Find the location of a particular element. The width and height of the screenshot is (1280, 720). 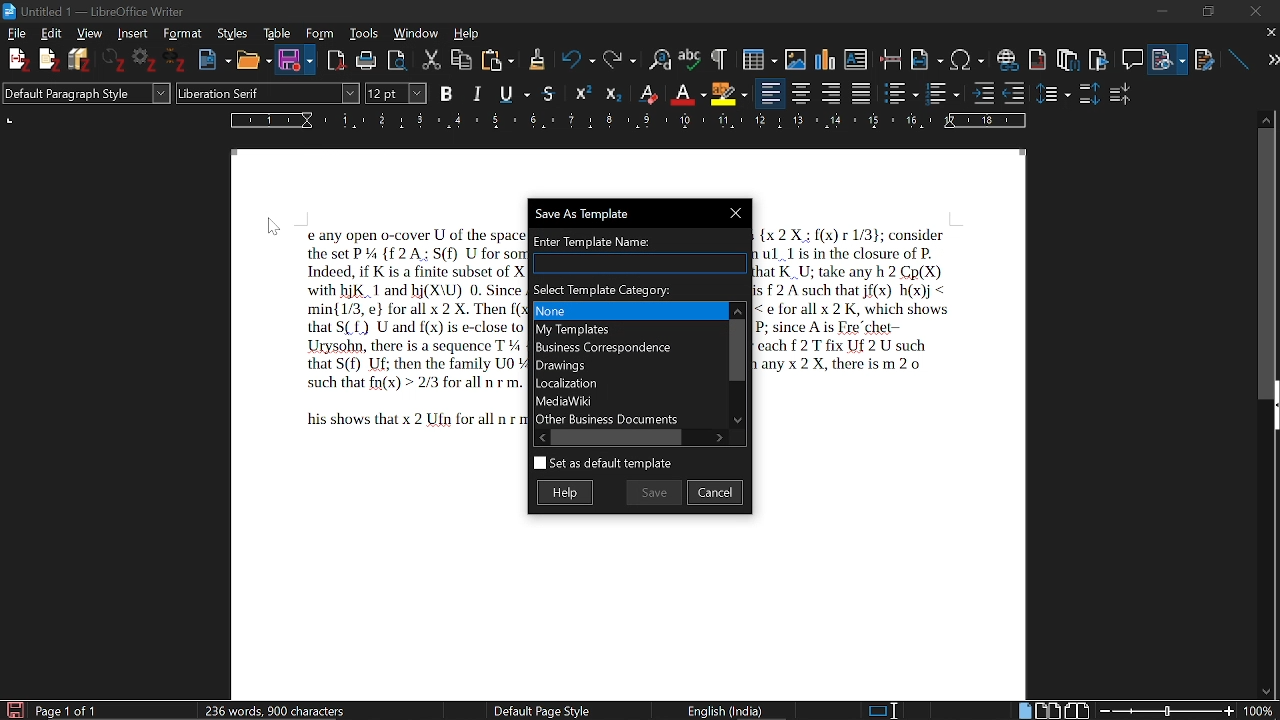

Superscript is located at coordinates (647, 93).